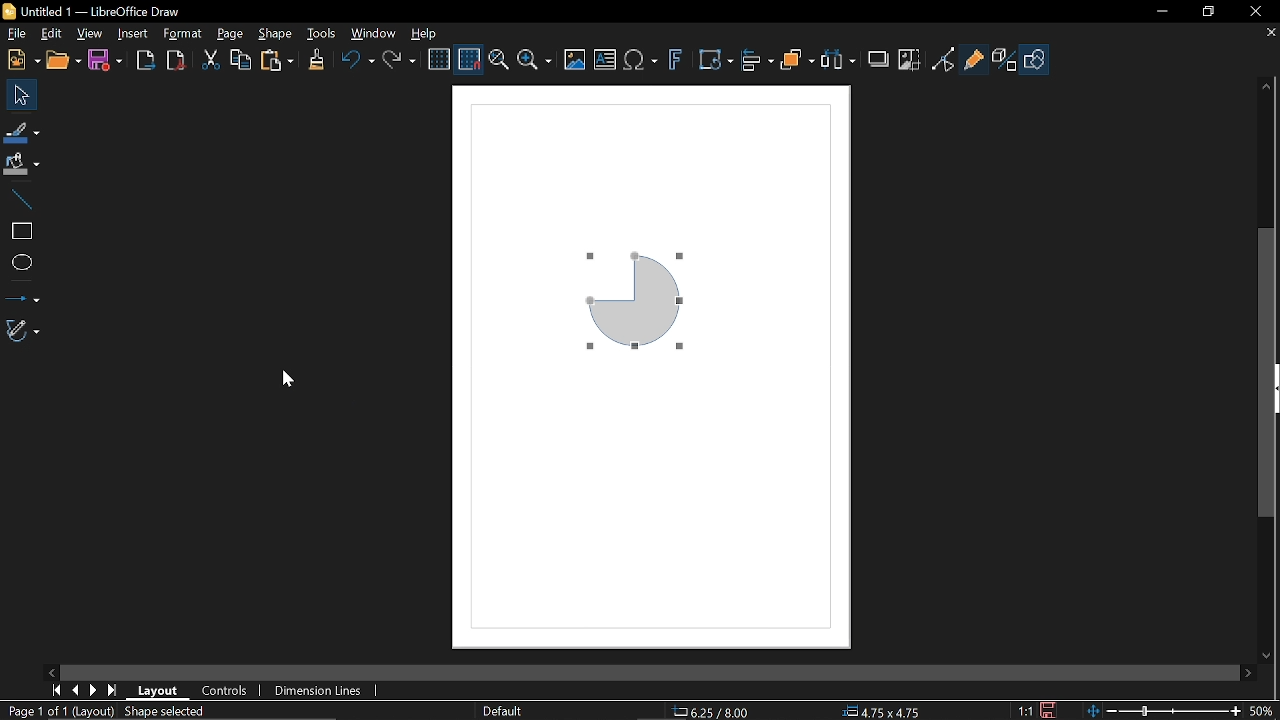 This screenshot has height=720, width=1280. I want to click on Fill line, so click(23, 132).